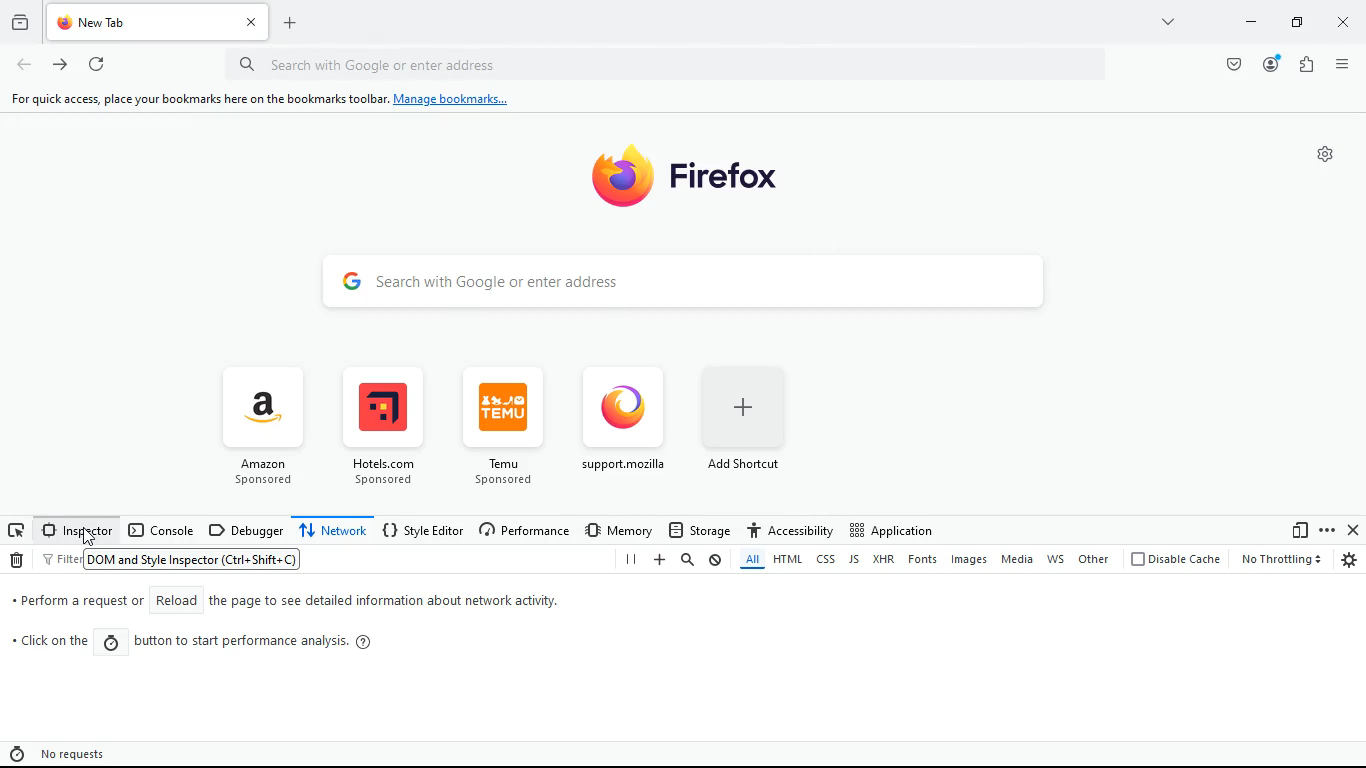 The height and width of the screenshot is (768, 1366). Describe the element at coordinates (195, 561) in the screenshot. I see `{ DOM and Style Inspector (Ctrl+ Shift+C)|` at that location.